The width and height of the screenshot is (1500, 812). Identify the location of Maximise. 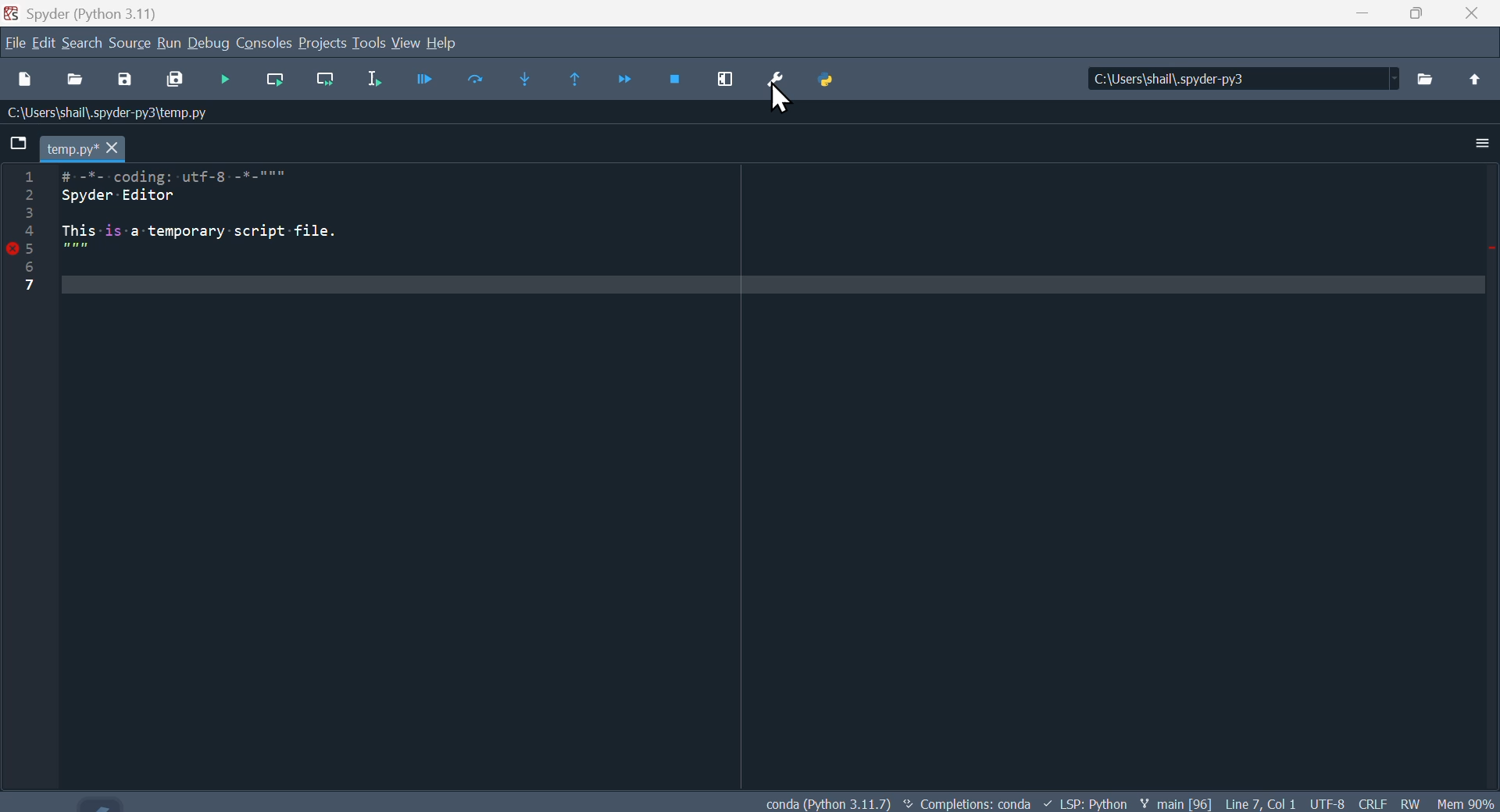
(1426, 14).